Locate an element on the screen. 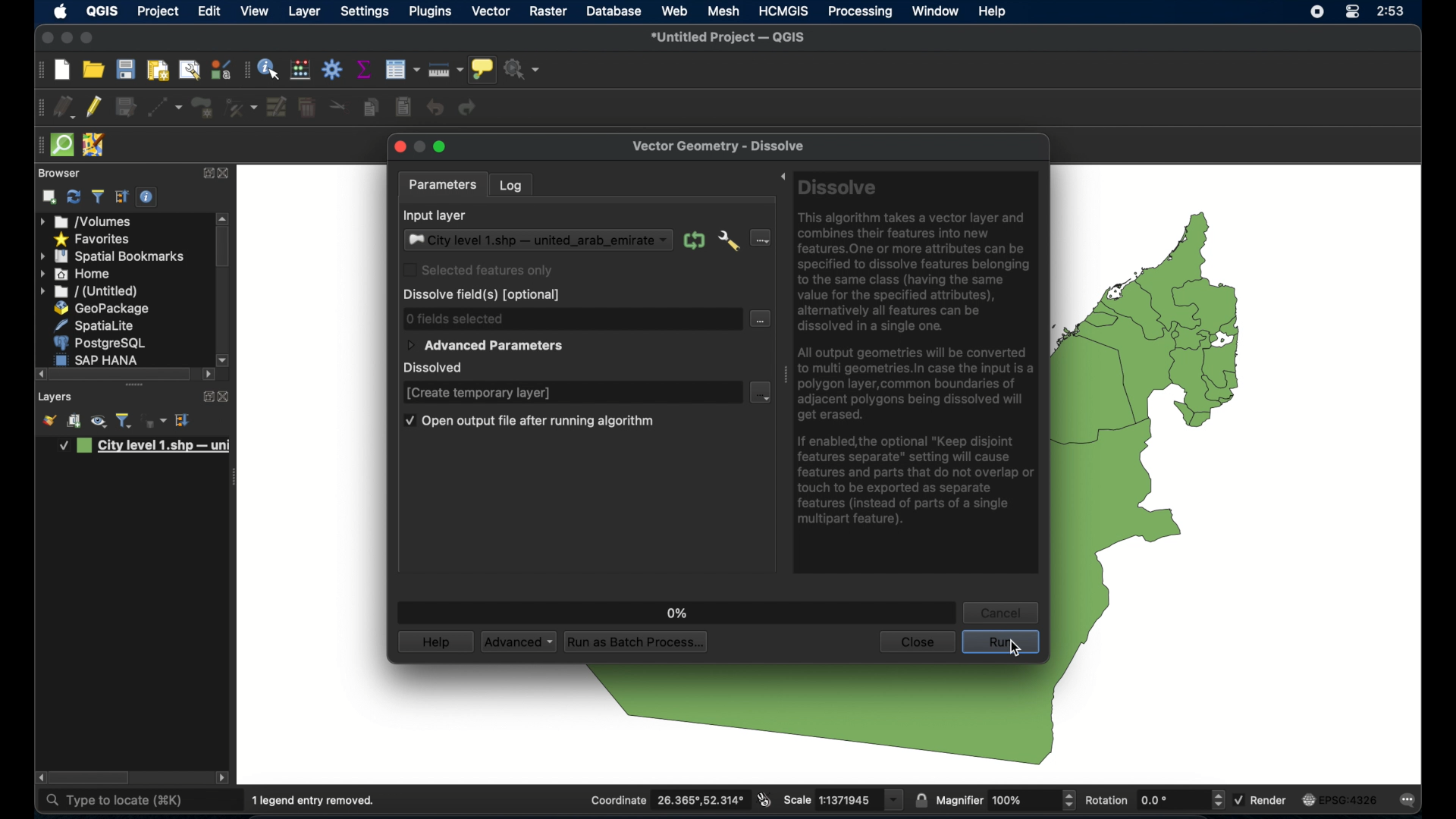 The height and width of the screenshot is (819, 1456). coordinate is located at coordinates (667, 800).